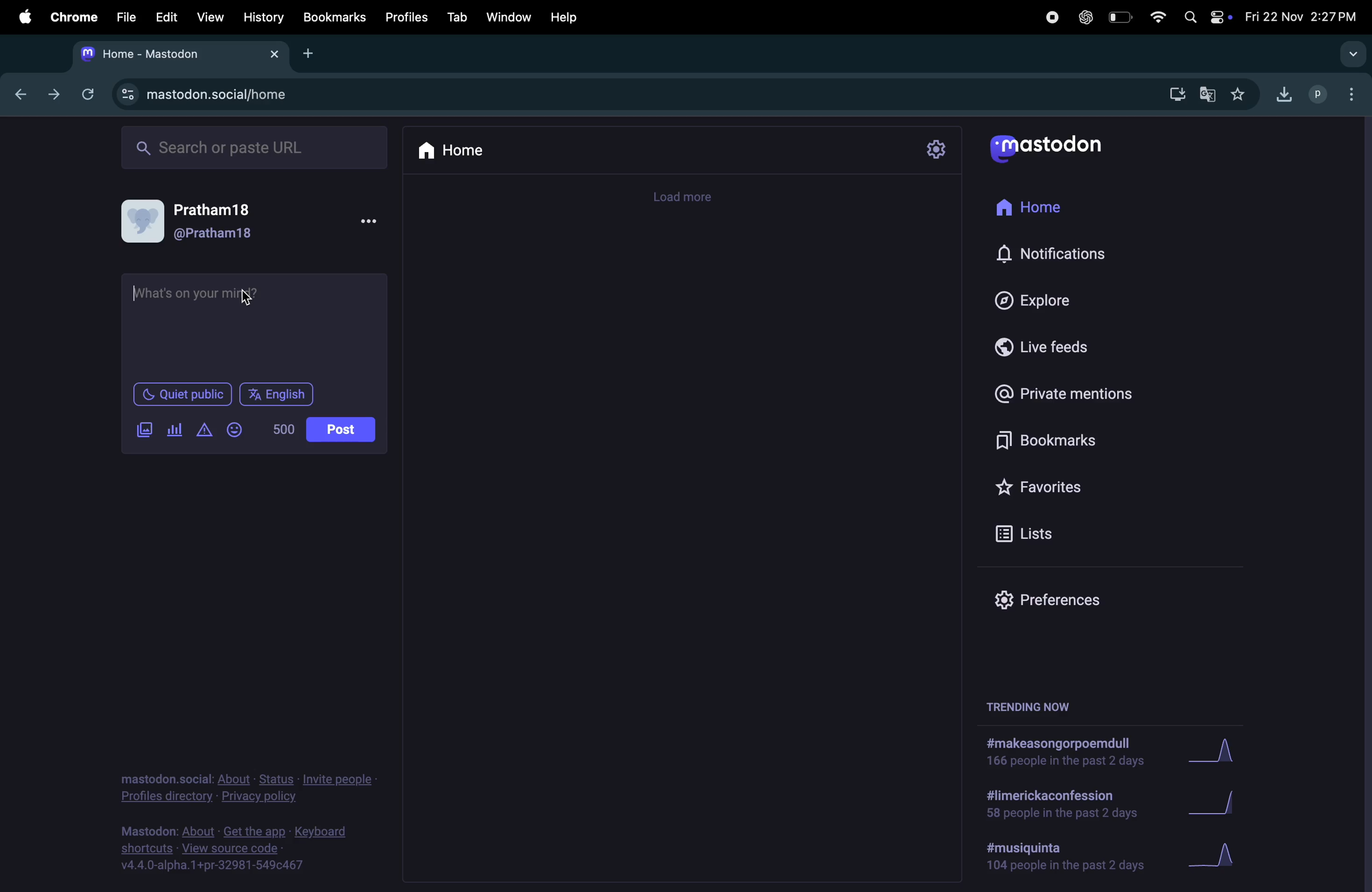 The height and width of the screenshot is (892, 1372). What do you see at coordinates (1207, 17) in the screenshot?
I see `apple widgets` at bounding box center [1207, 17].